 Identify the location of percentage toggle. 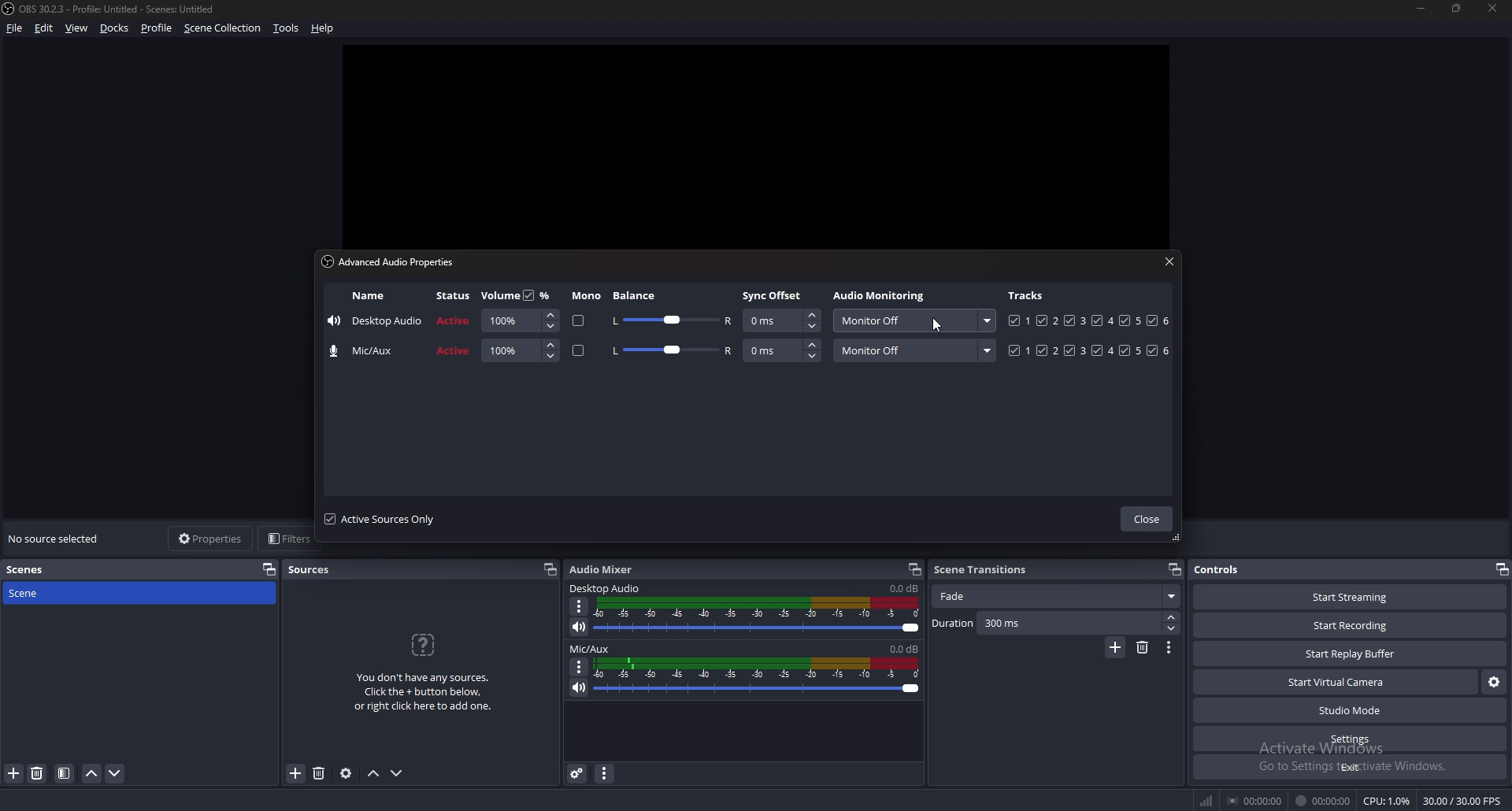
(539, 294).